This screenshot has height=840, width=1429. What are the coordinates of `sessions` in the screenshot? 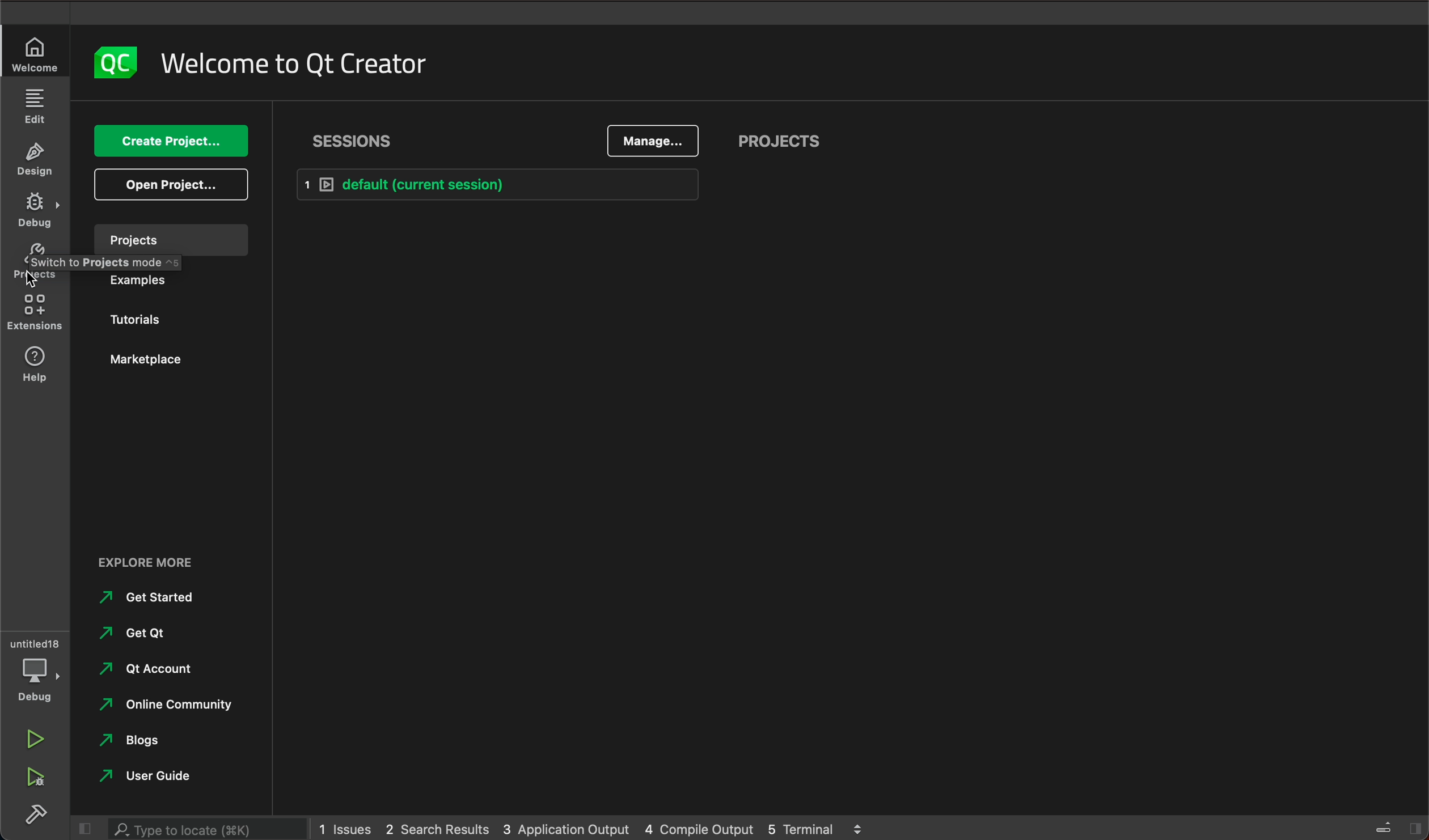 It's located at (366, 142).